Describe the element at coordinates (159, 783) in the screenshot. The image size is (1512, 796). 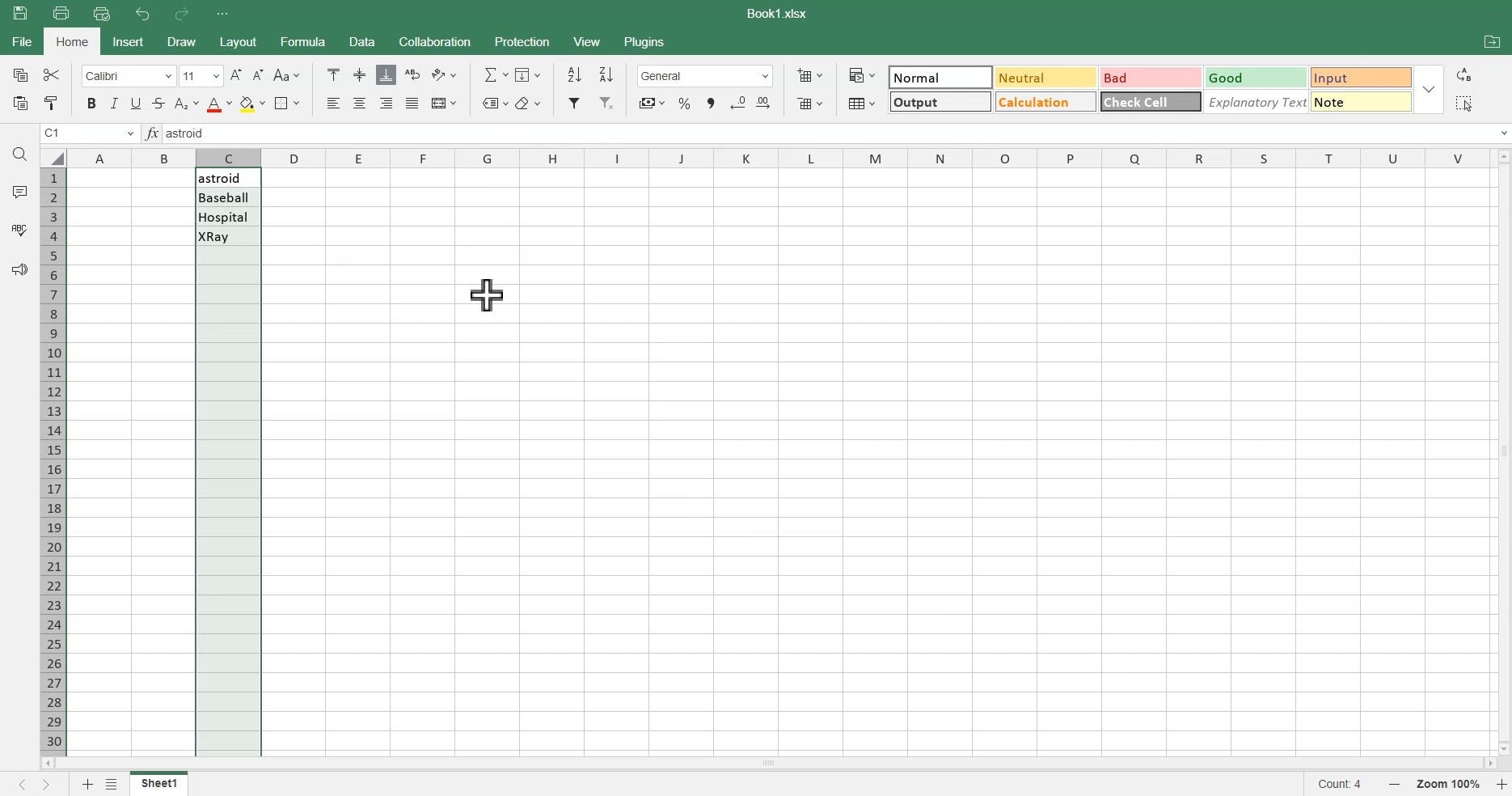
I see `File` at that location.